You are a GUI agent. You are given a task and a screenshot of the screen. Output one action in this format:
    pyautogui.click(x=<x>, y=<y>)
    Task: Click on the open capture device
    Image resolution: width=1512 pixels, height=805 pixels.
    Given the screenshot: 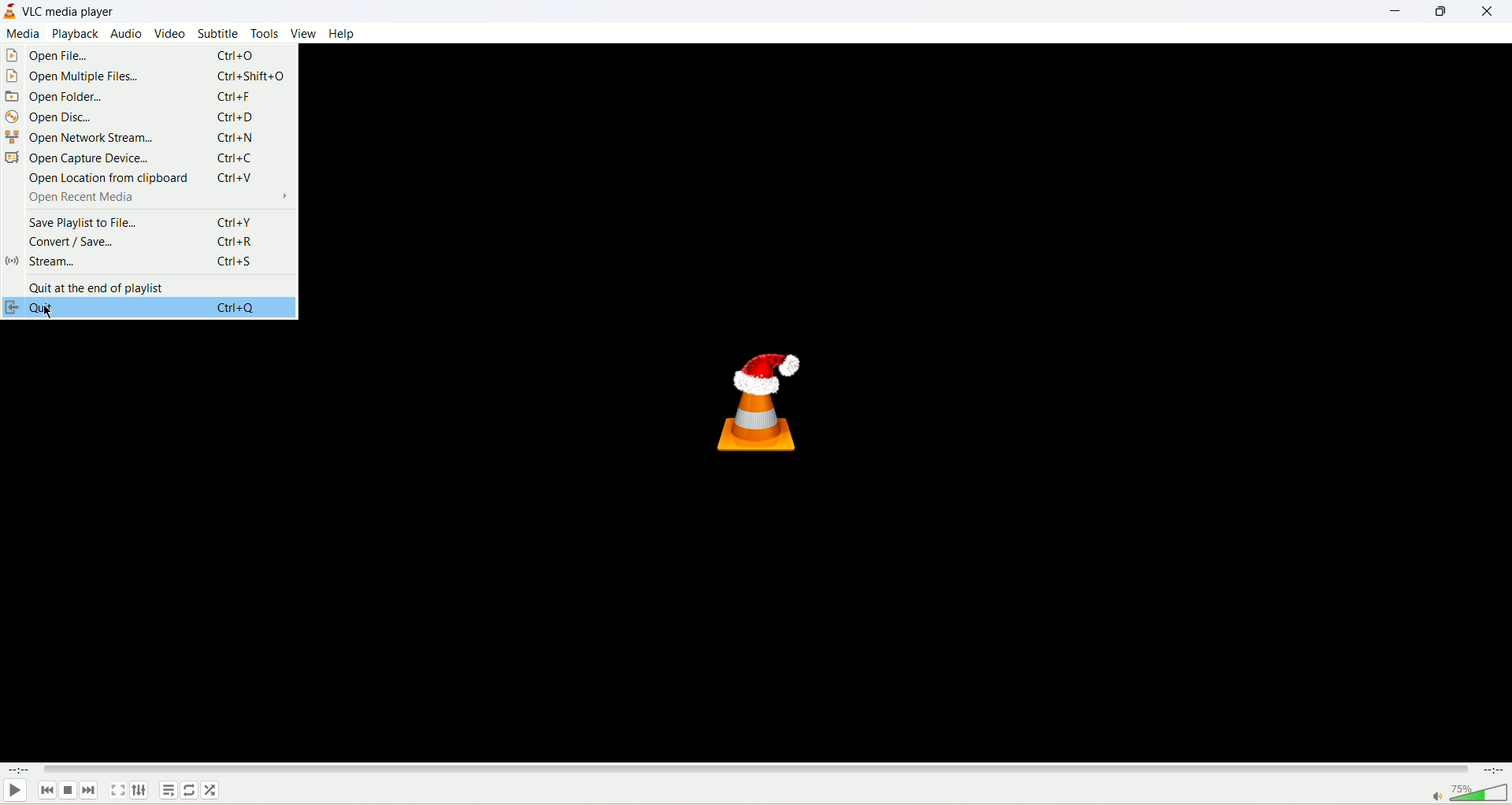 What is the action you would take?
    pyautogui.click(x=146, y=158)
    